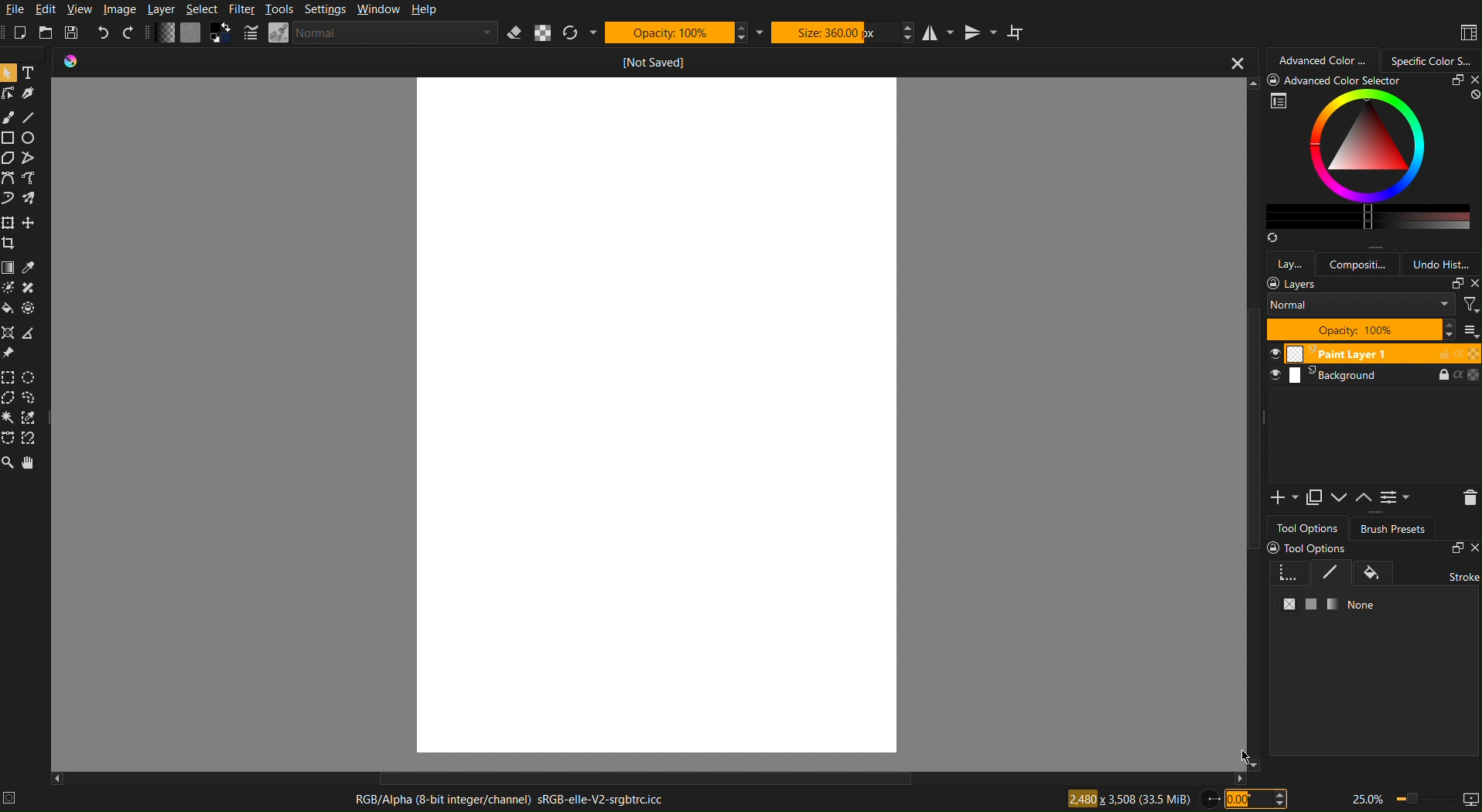 The height and width of the screenshot is (812, 1482). What do you see at coordinates (652, 780) in the screenshot?
I see `Scrollbar` at bounding box center [652, 780].